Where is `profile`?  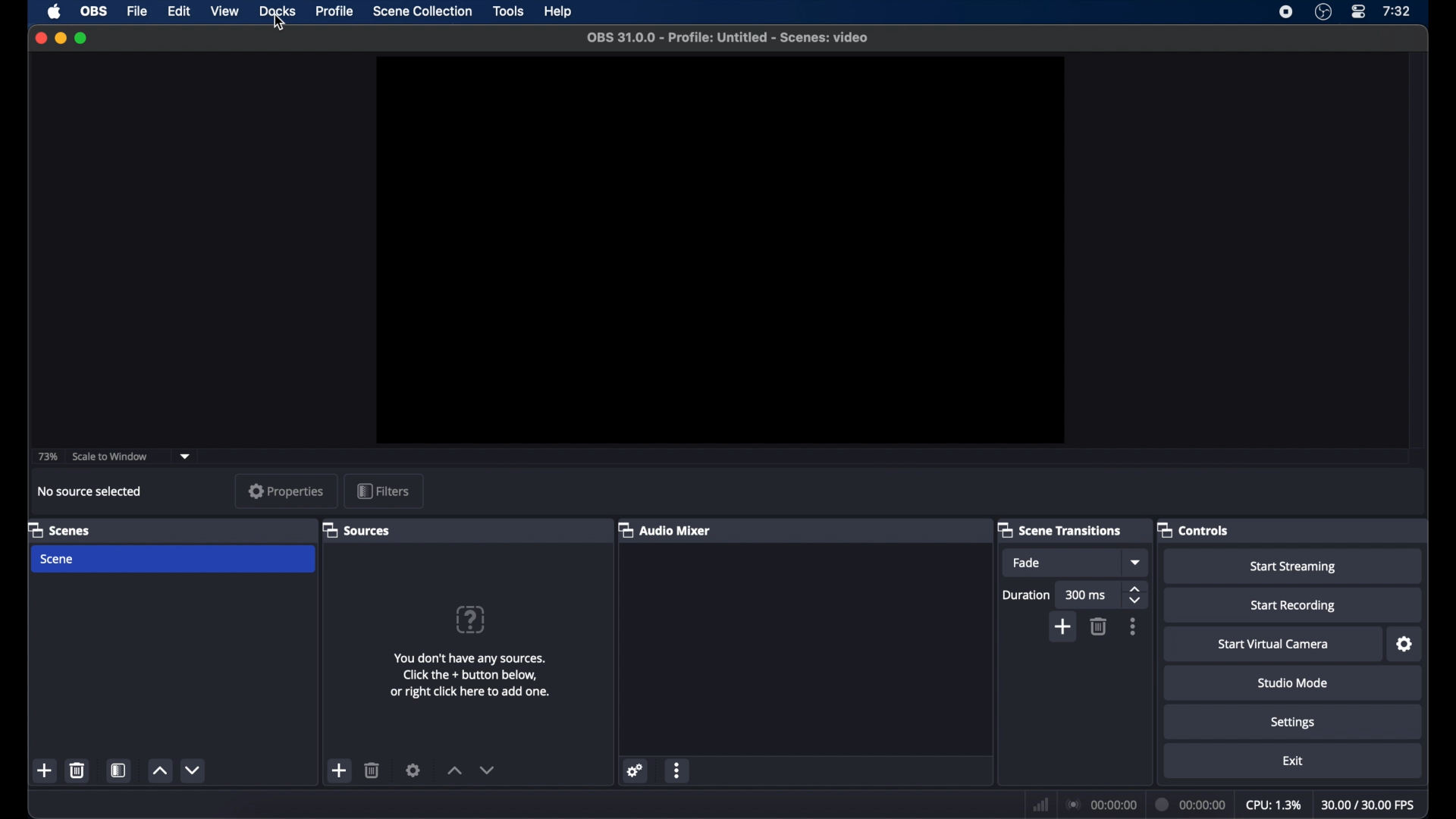 profile is located at coordinates (335, 10).